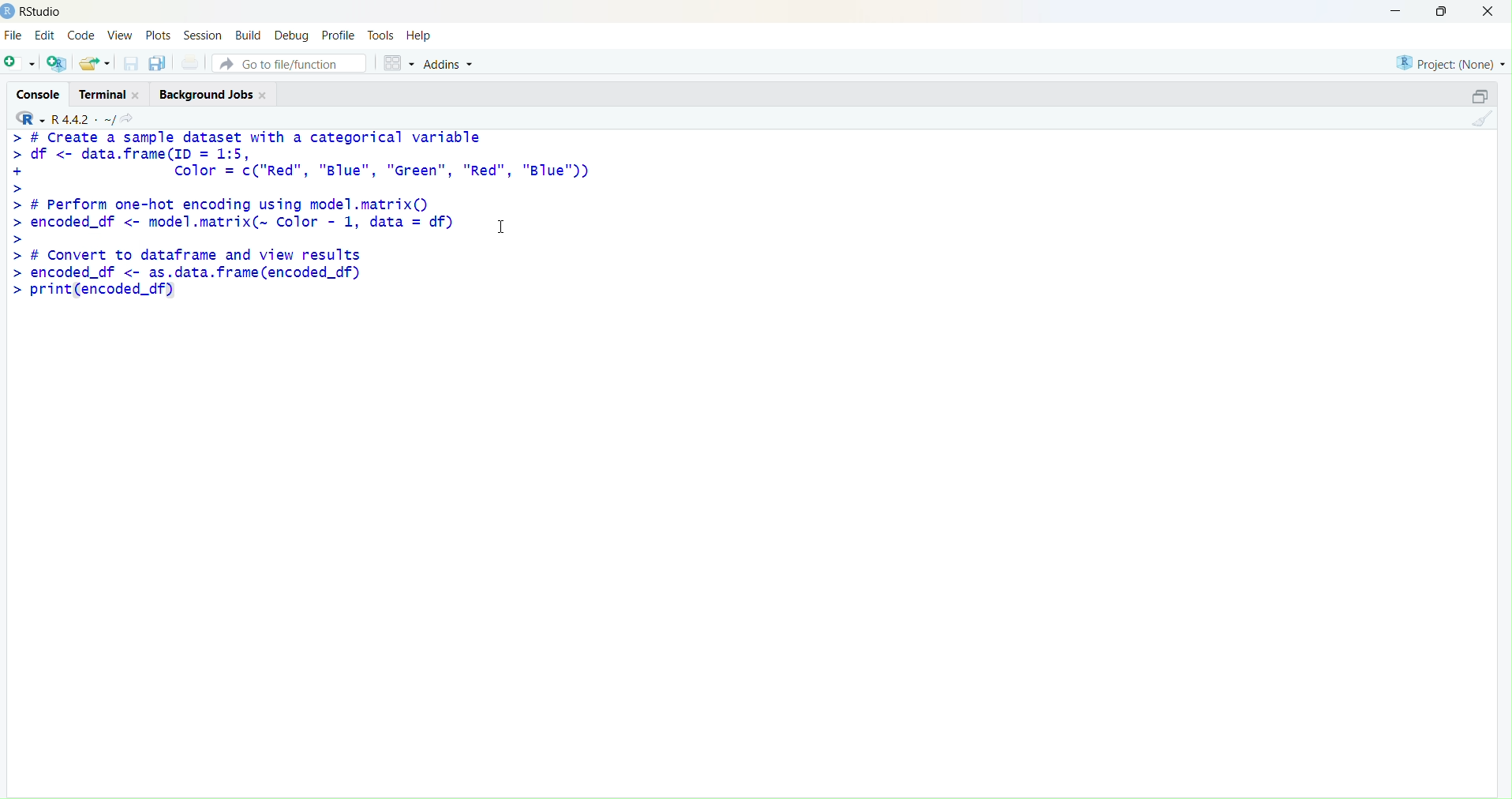  I want to click on clean, so click(1482, 118).